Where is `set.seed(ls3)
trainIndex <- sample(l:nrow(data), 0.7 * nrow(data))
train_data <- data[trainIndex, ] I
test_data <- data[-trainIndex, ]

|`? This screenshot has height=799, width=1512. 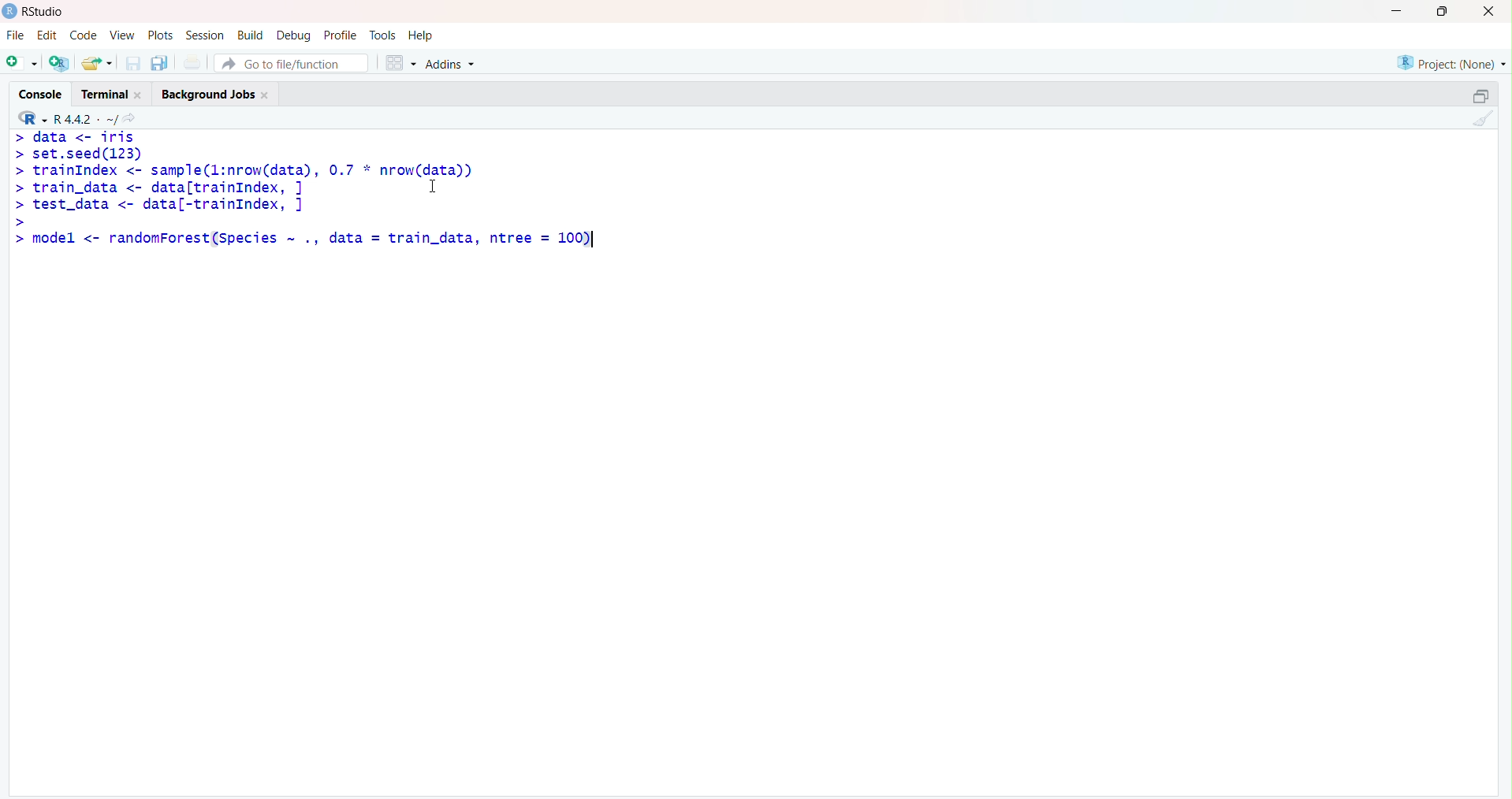
set.seed(ls3)
trainIndex <- sample(l:nrow(data), 0.7 * nrow(data))
train_data <- data[trainIndex, ] I
test_data <- data[-trainIndex, ]

| is located at coordinates (260, 180).